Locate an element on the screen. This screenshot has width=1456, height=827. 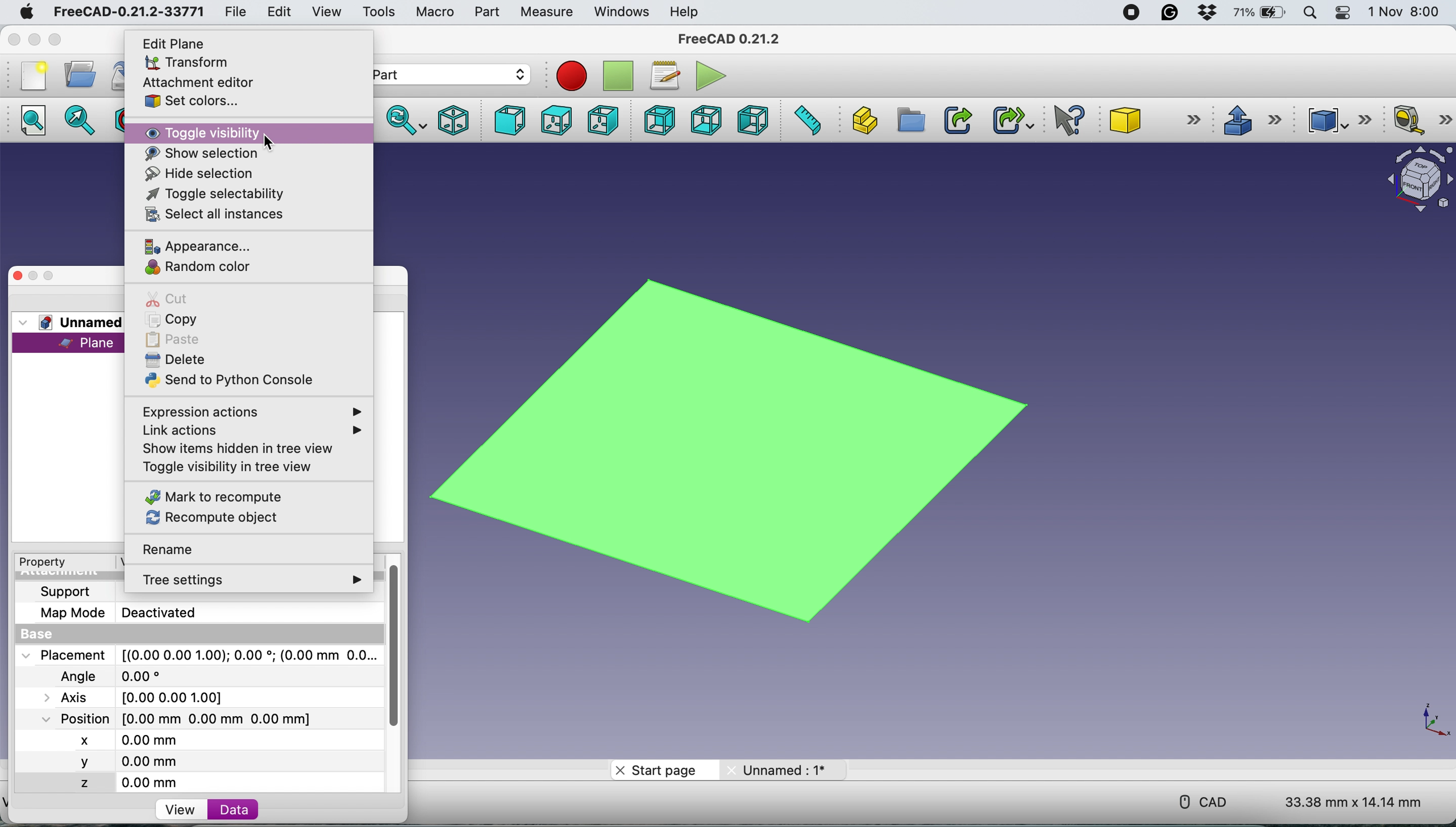
rename is located at coordinates (170, 551).